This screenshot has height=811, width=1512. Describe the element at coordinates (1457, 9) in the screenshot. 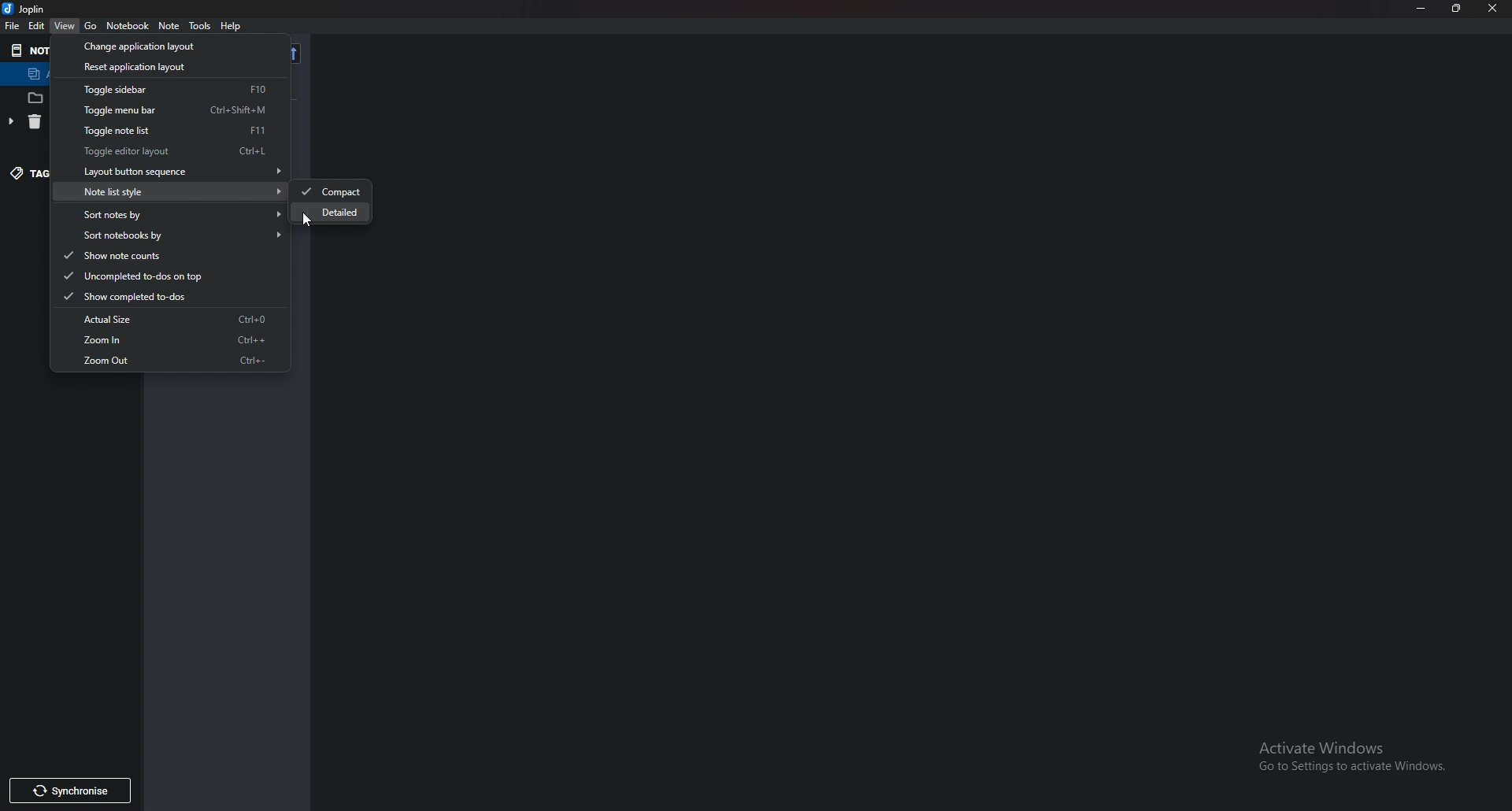

I see `Resize` at that location.